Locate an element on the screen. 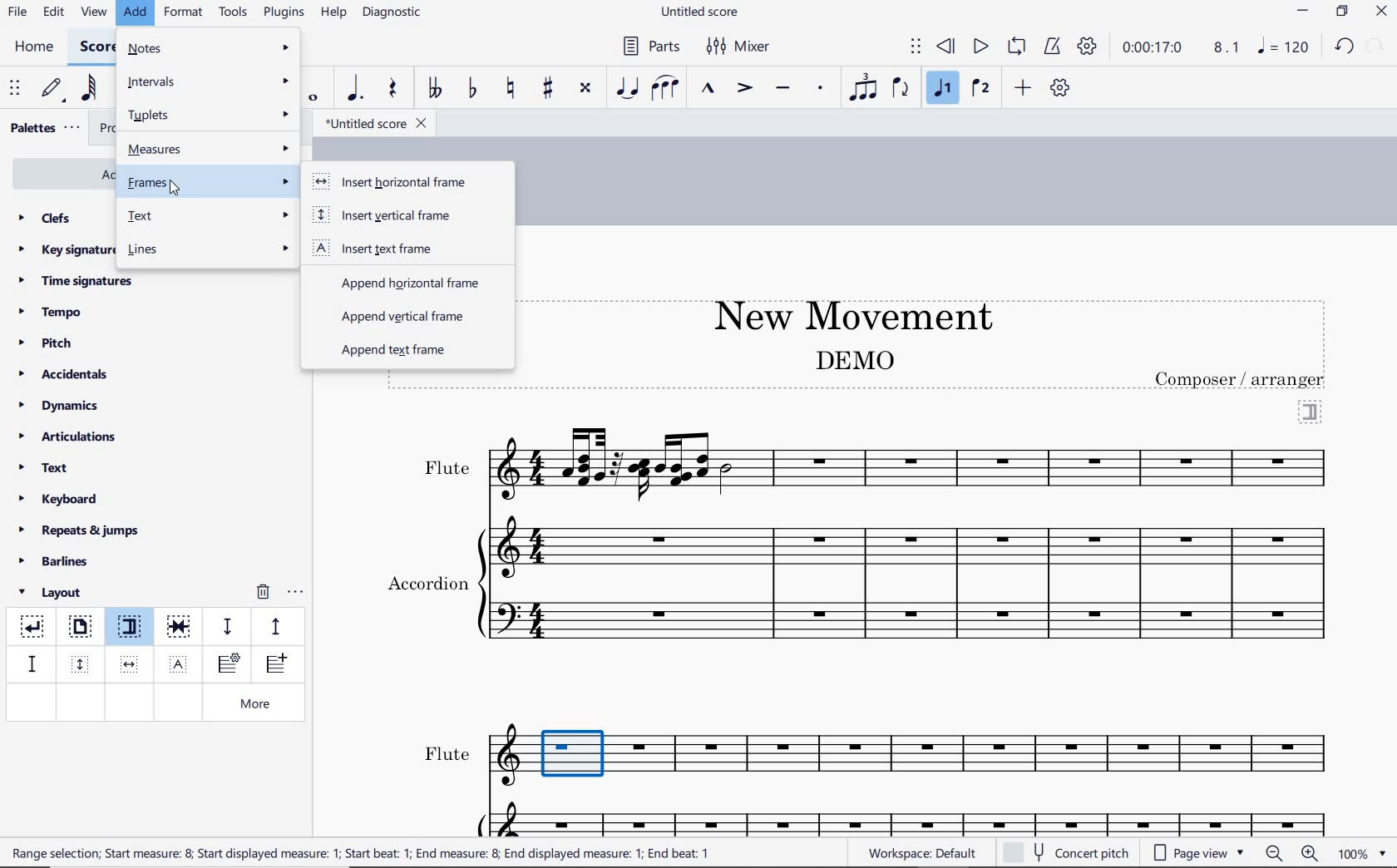  view is located at coordinates (91, 13).